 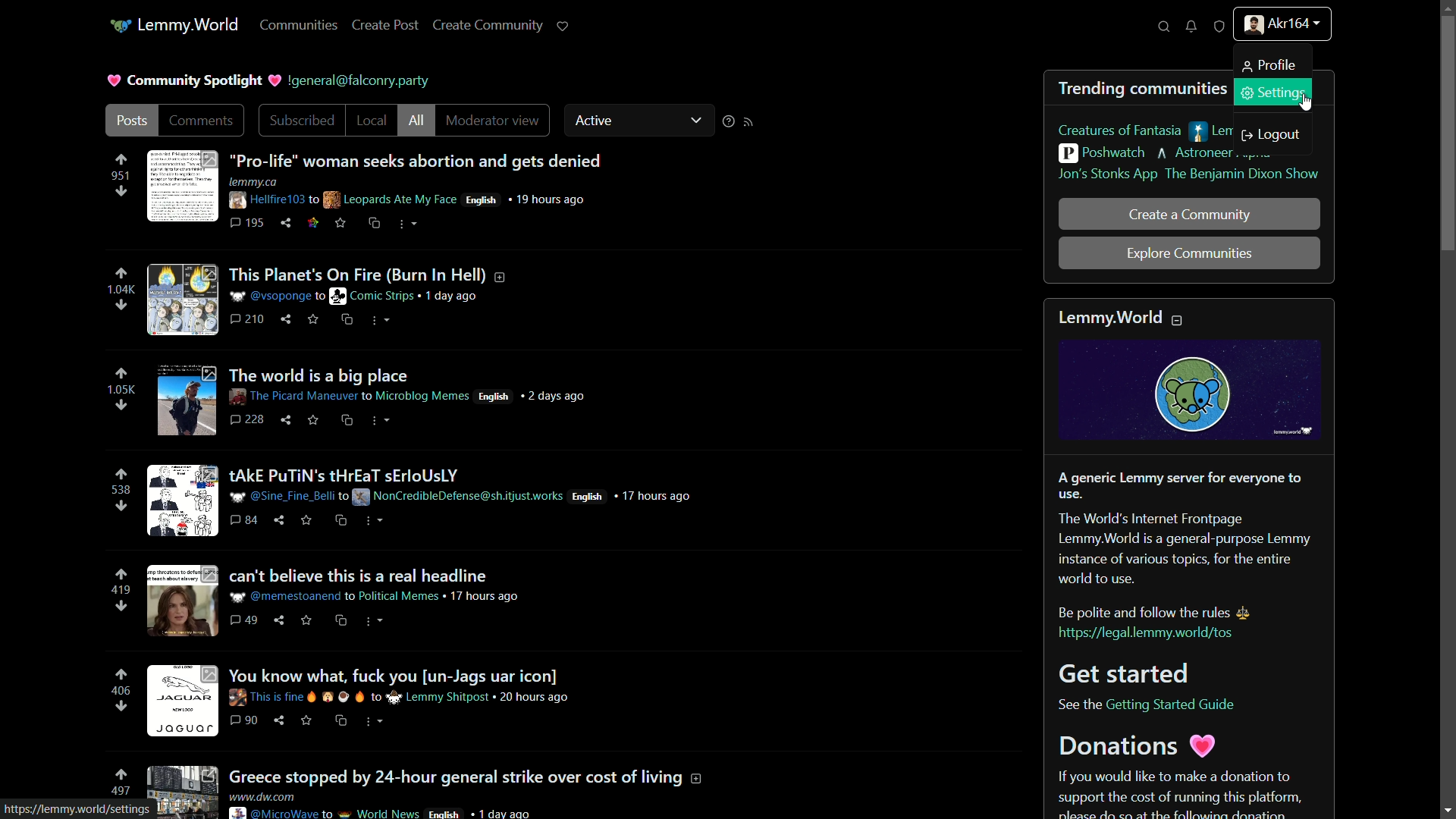 What do you see at coordinates (1213, 154) in the screenshot?
I see `astroneer alpha` at bounding box center [1213, 154].